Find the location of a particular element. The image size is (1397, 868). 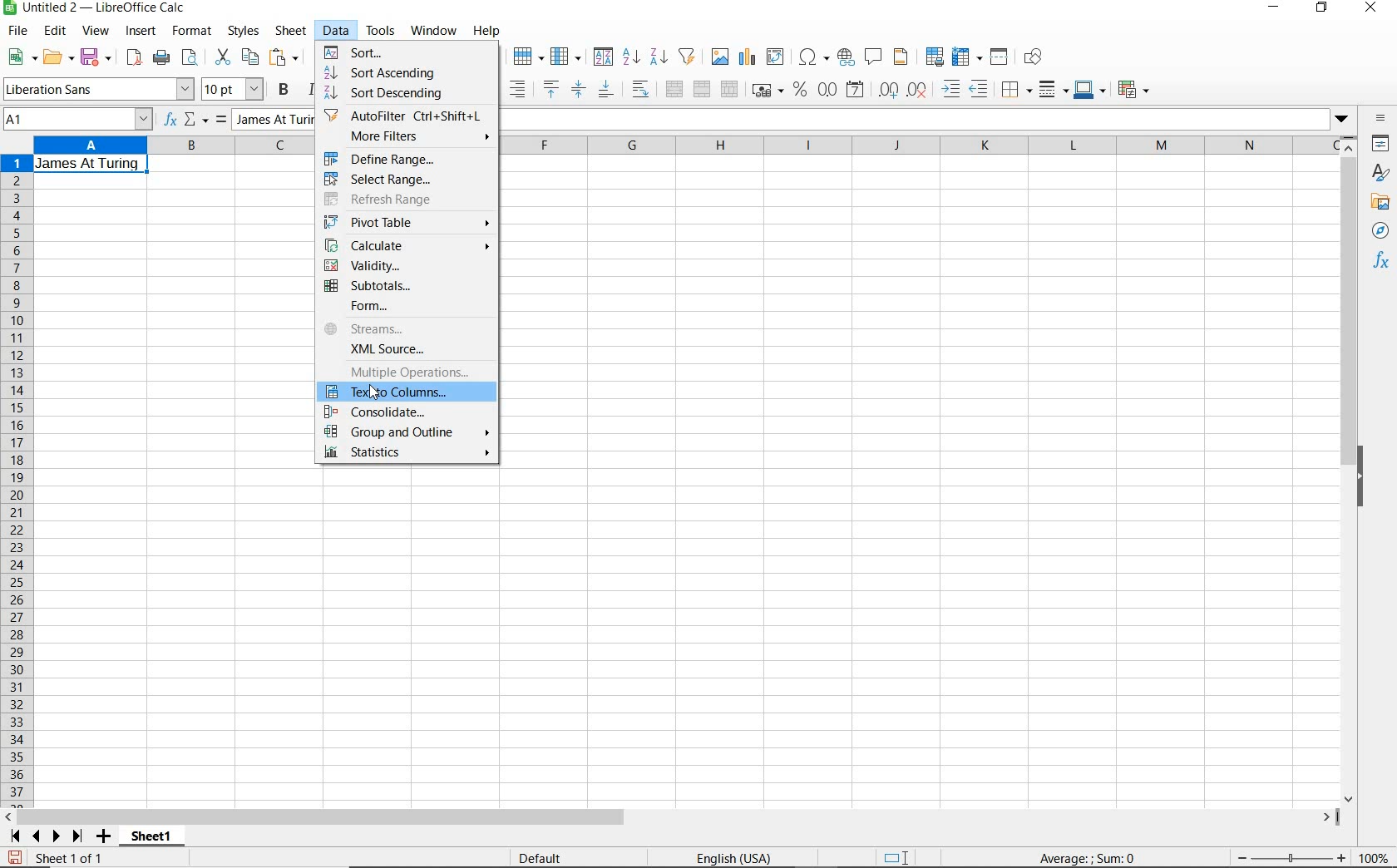

form is located at coordinates (408, 307).